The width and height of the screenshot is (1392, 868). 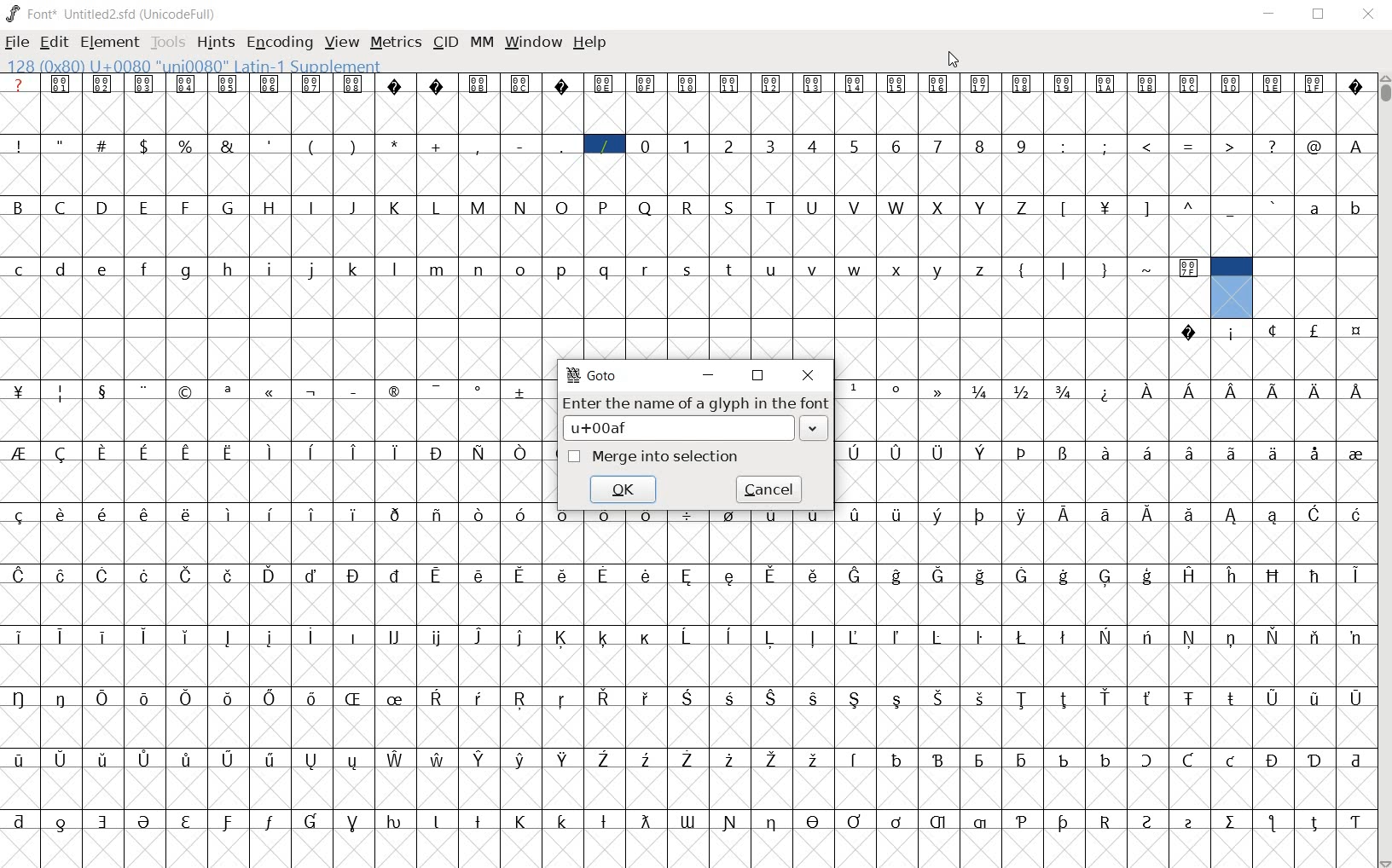 I want to click on 2, so click(x=731, y=146).